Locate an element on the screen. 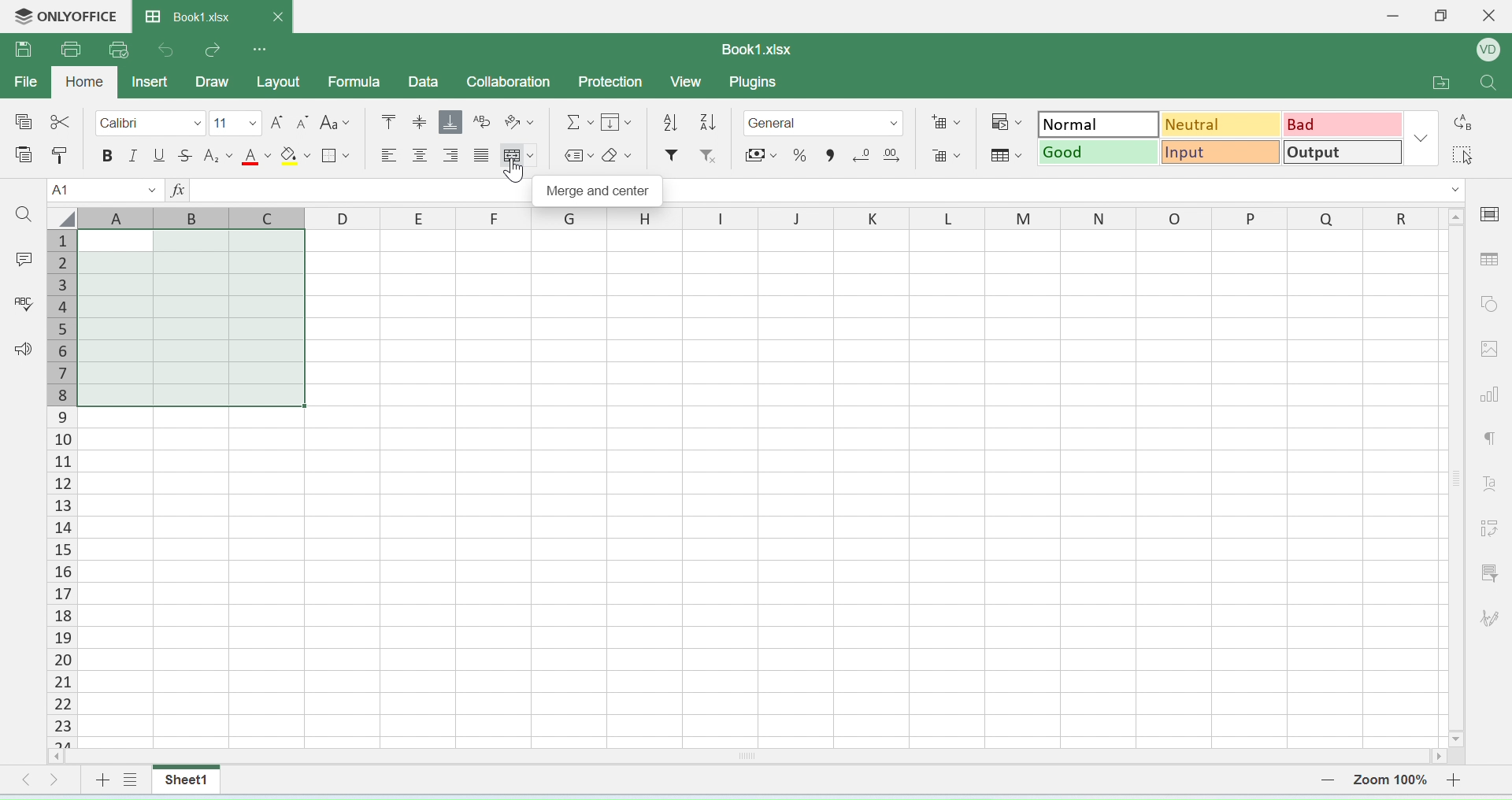 The width and height of the screenshot is (1512, 800). font size is located at coordinates (237, 123).